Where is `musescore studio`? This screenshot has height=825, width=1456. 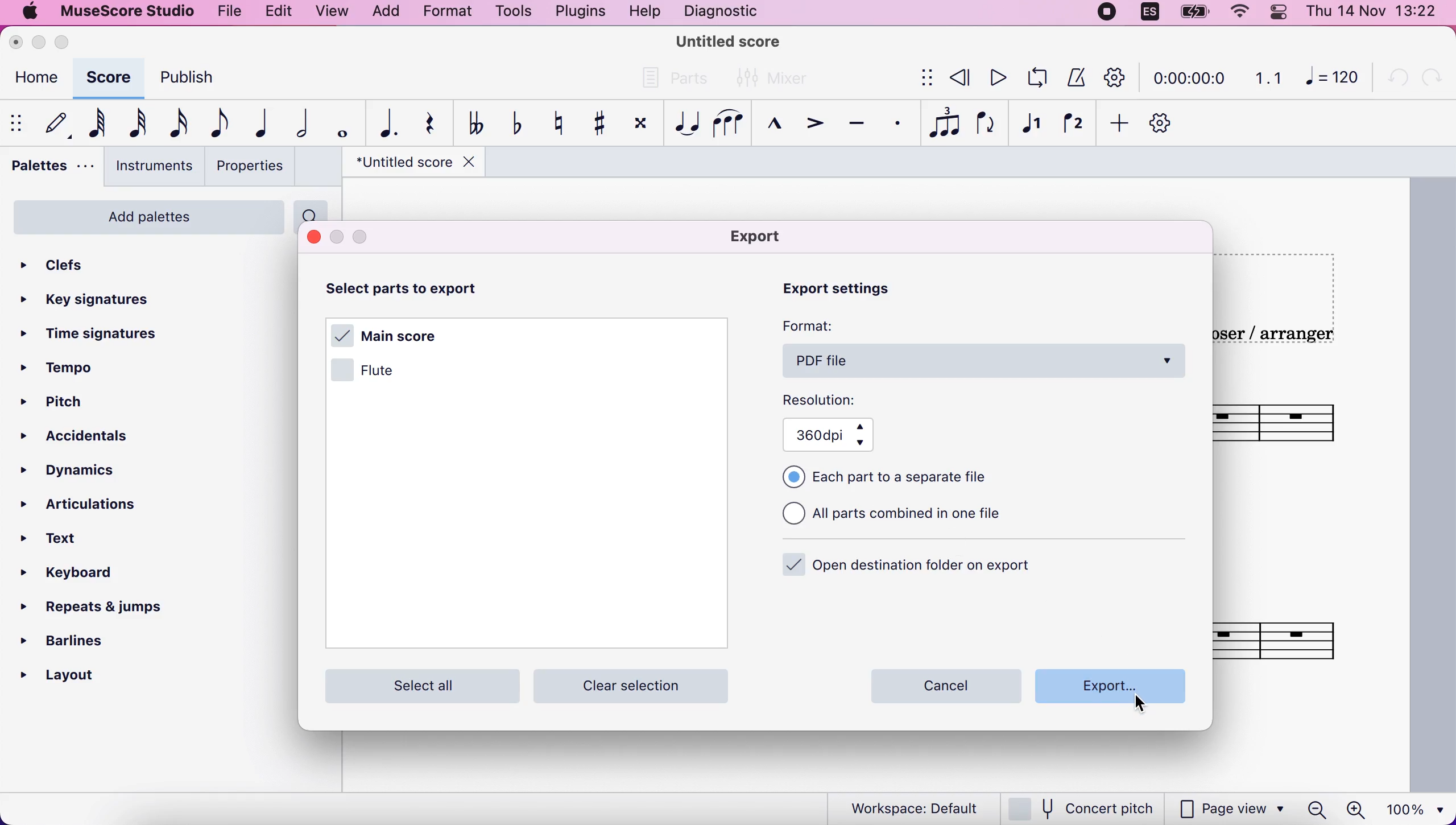 musescore studio is located at coordinates (129, 14).